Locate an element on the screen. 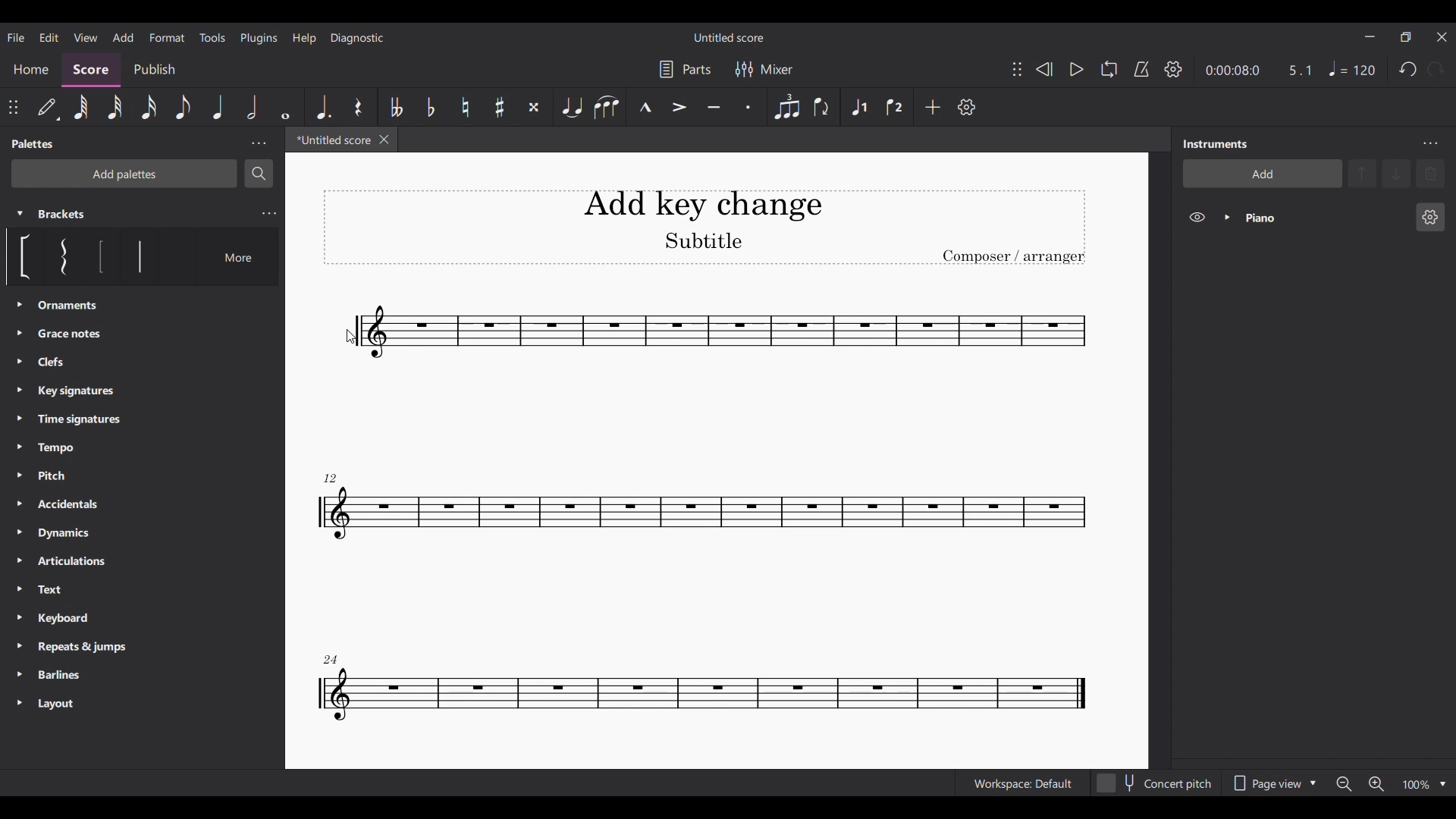 This screenshot has width=1456, height=819. Augmentation dot is located at coordinates (322, 107).